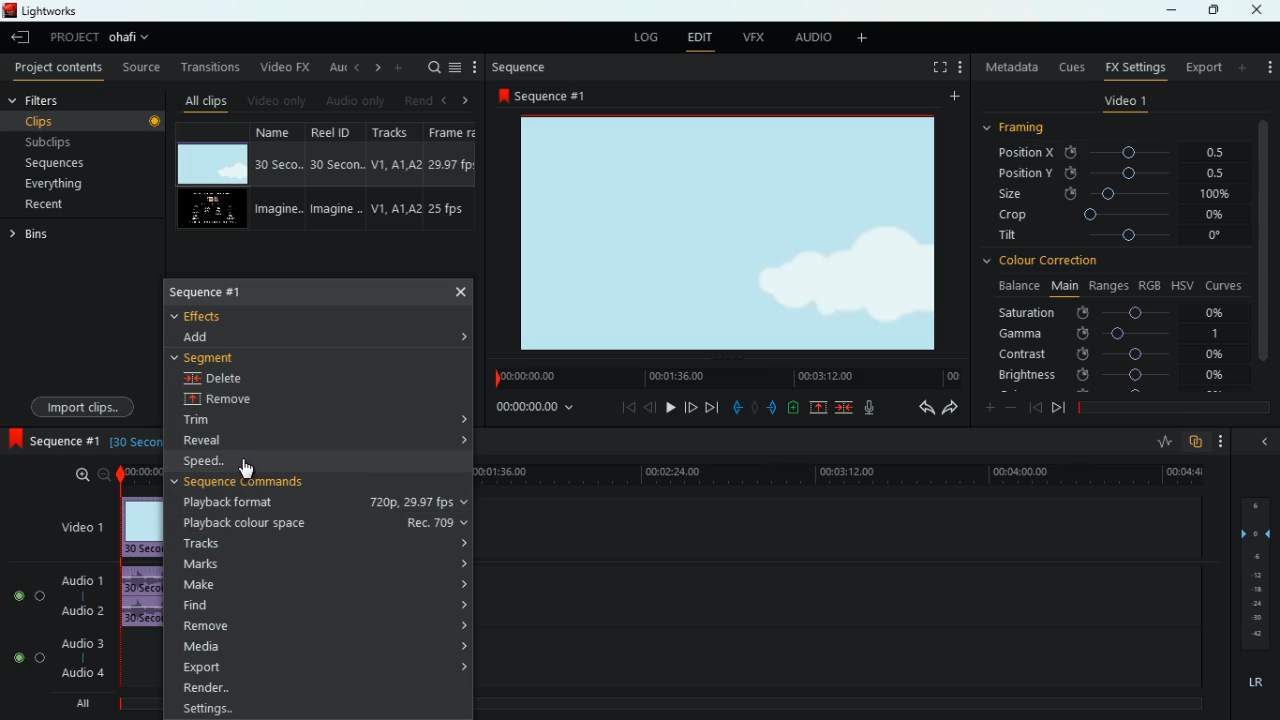 This screenshot has height=720, width=1280. Describe the element at coordinates (985, 406) in the screenshot. I see `plus` at that location.